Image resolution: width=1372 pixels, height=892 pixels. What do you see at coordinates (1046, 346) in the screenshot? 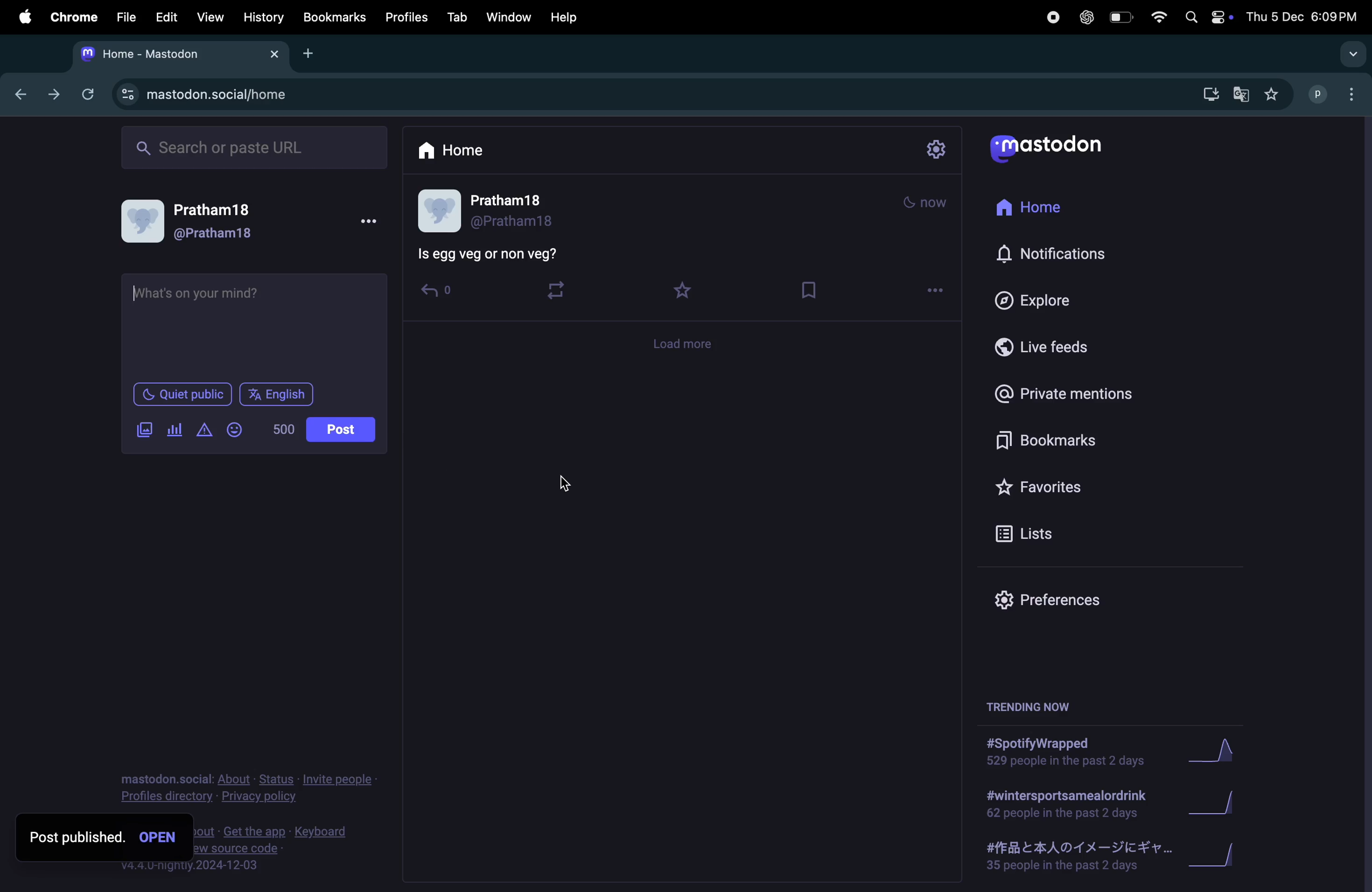
I see `Live feeds` at bounding box center [1046, 346].